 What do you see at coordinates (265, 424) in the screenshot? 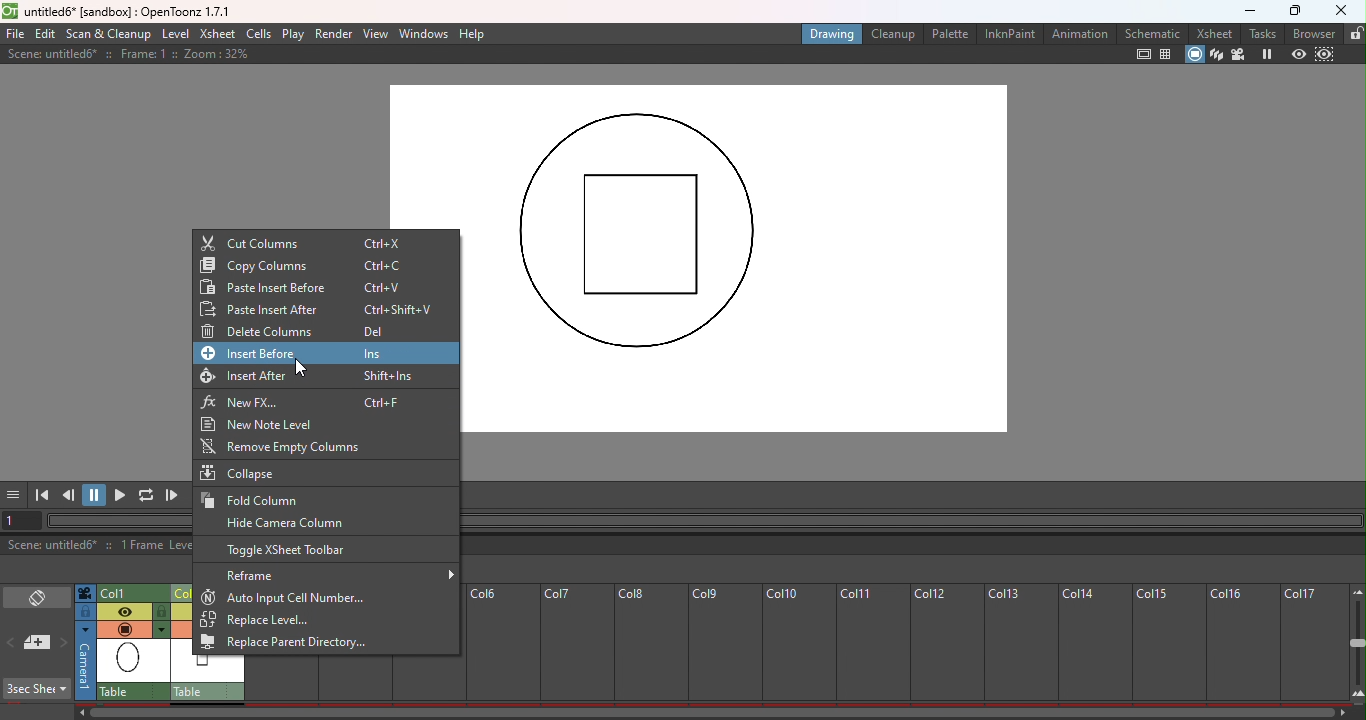
I see `New Note level` at bounding box center [265, 424].